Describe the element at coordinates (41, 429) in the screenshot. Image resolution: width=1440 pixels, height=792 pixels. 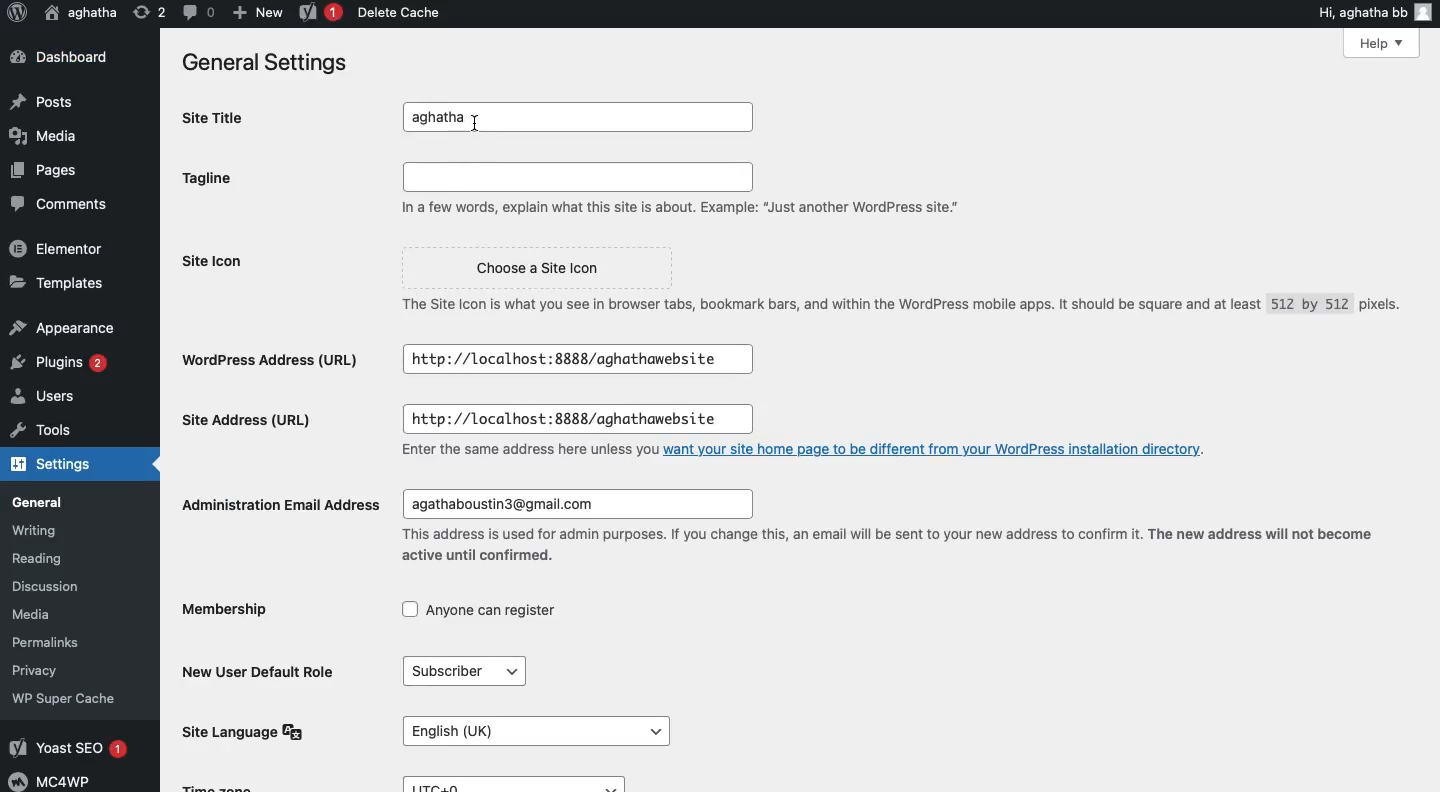
I see `Tools` at that location.